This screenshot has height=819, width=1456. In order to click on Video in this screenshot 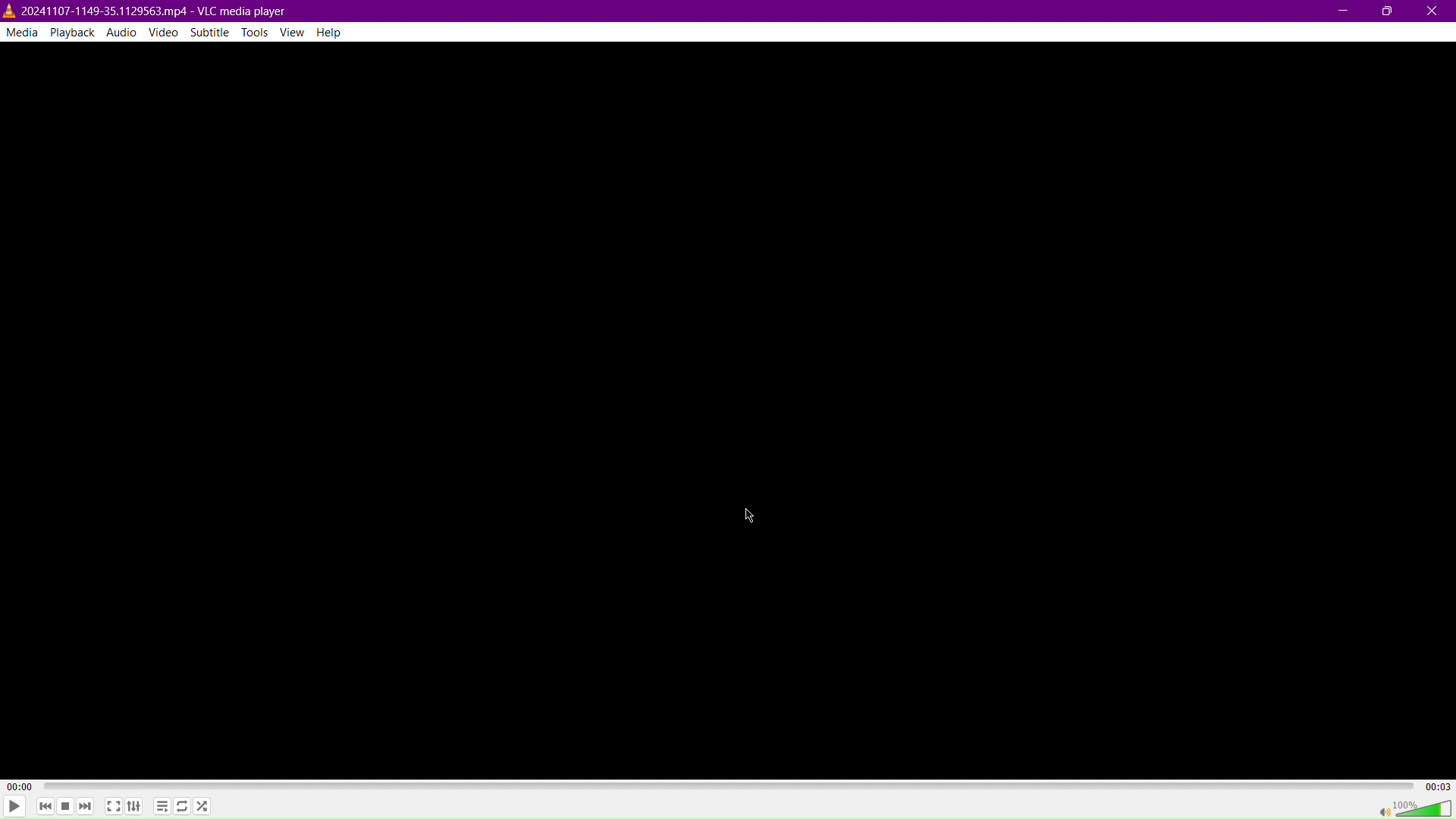, I will do `click(166, 32)`.